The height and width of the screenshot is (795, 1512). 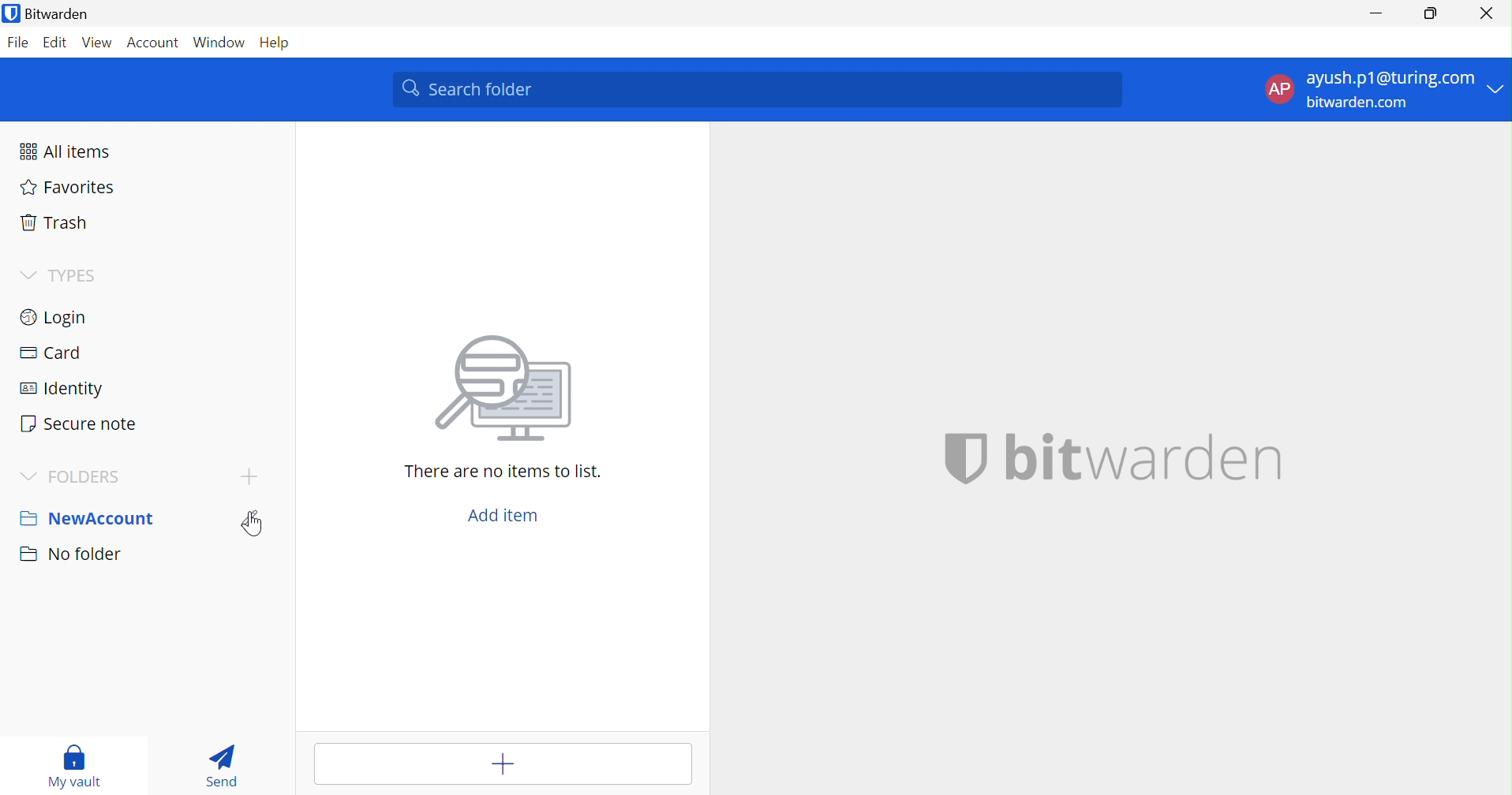 What do you see at coordinates (506, 512) in the screenshot?
I see `Add item` at bounding box center [506, 512].